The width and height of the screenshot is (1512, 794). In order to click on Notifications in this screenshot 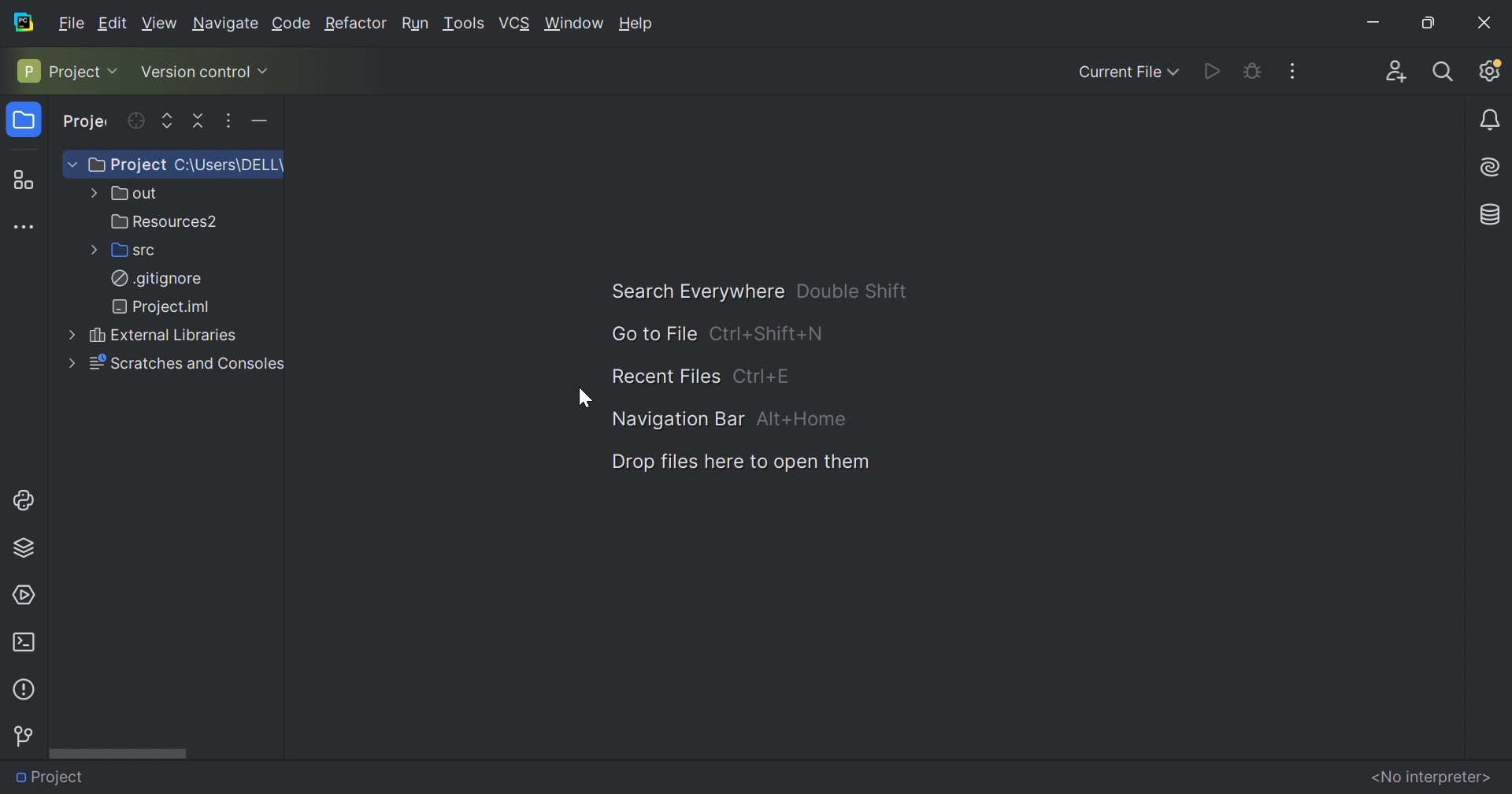, I will do `click(1492, 121)`.